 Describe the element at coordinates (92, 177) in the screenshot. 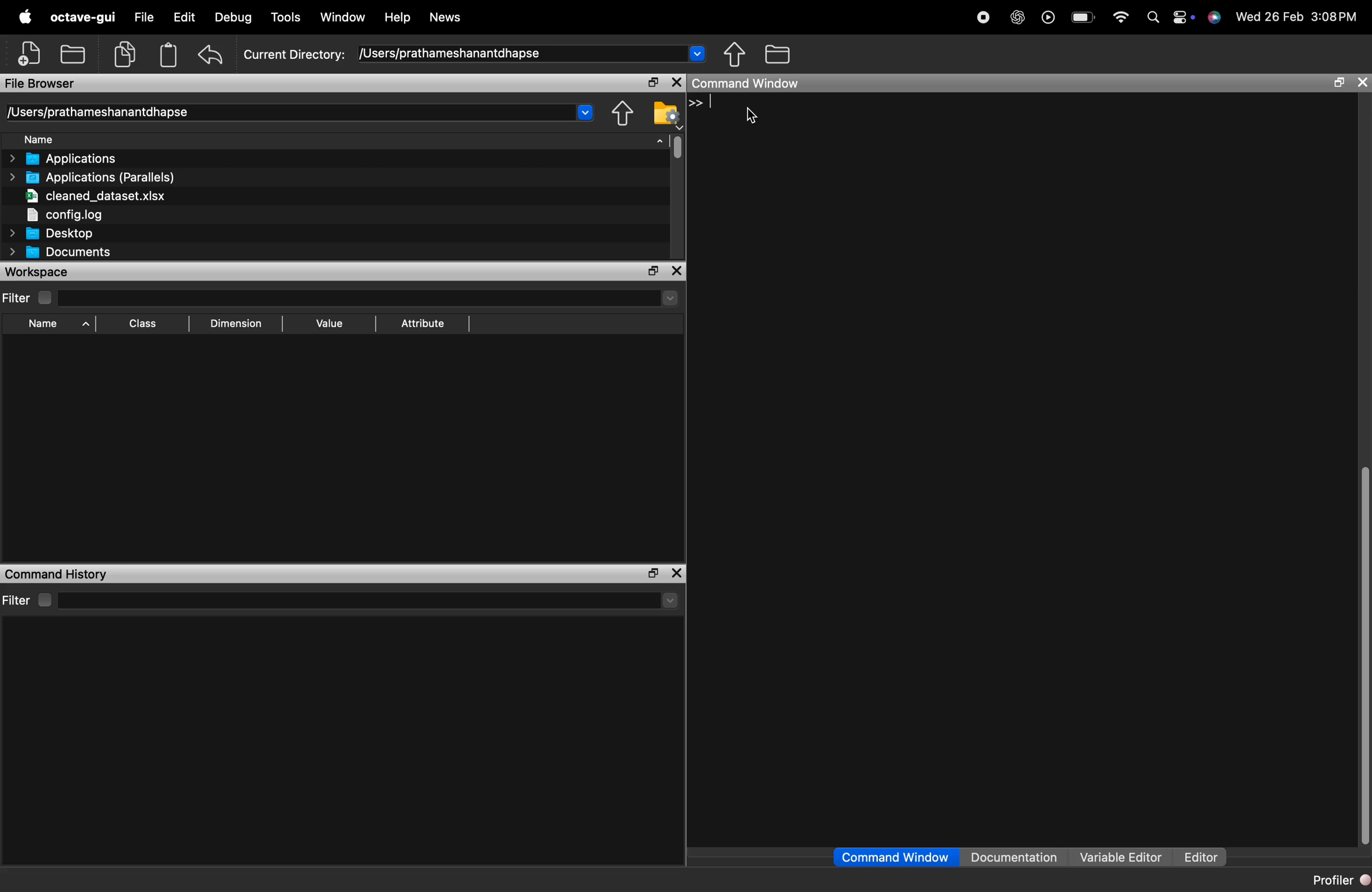

I see `Applications (Parallels)` at that location.